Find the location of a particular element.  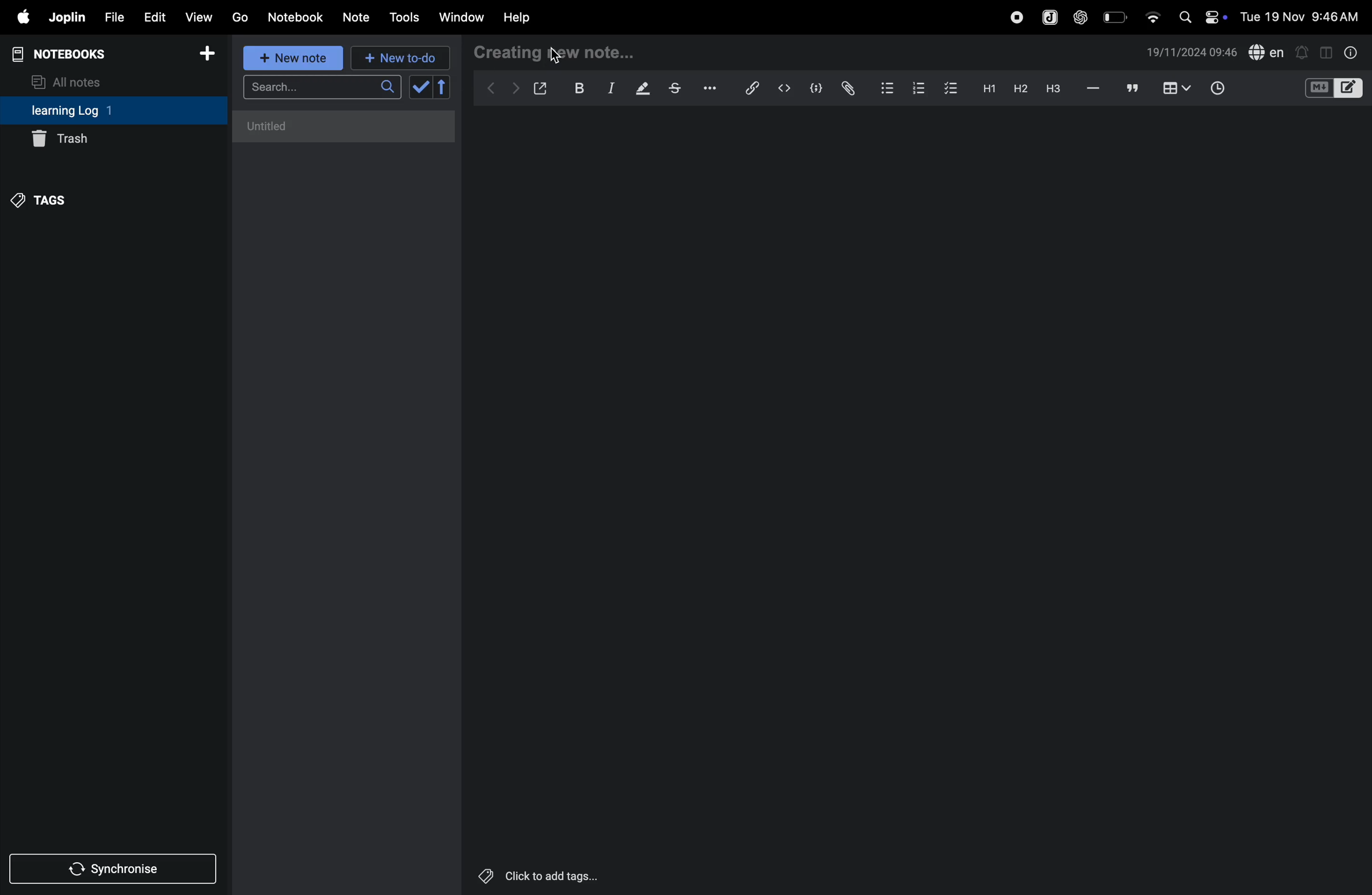

hyper link is located at coordinates (751, 88).